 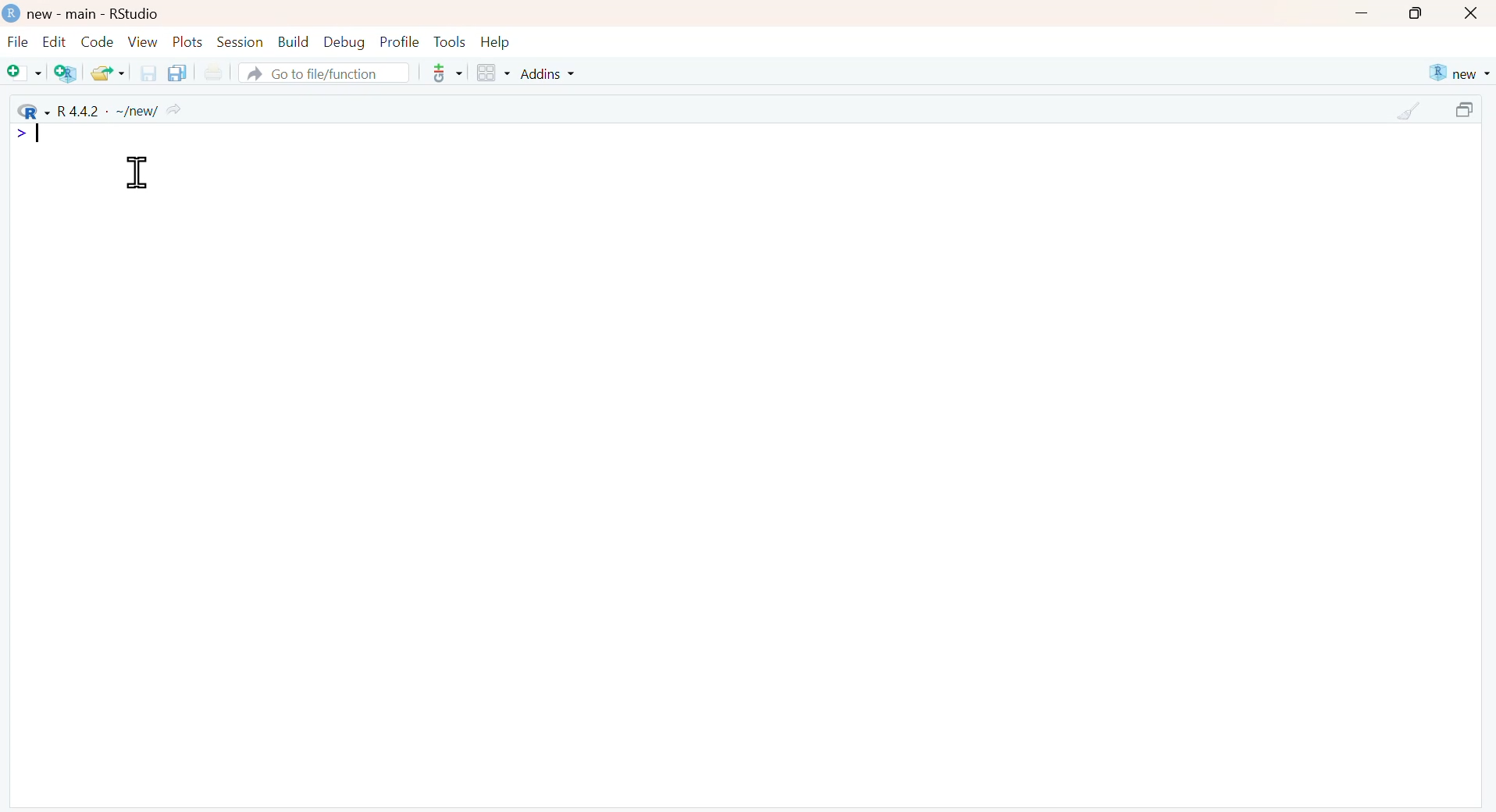 I want to click on maximize, so click(x=1416, y=13).